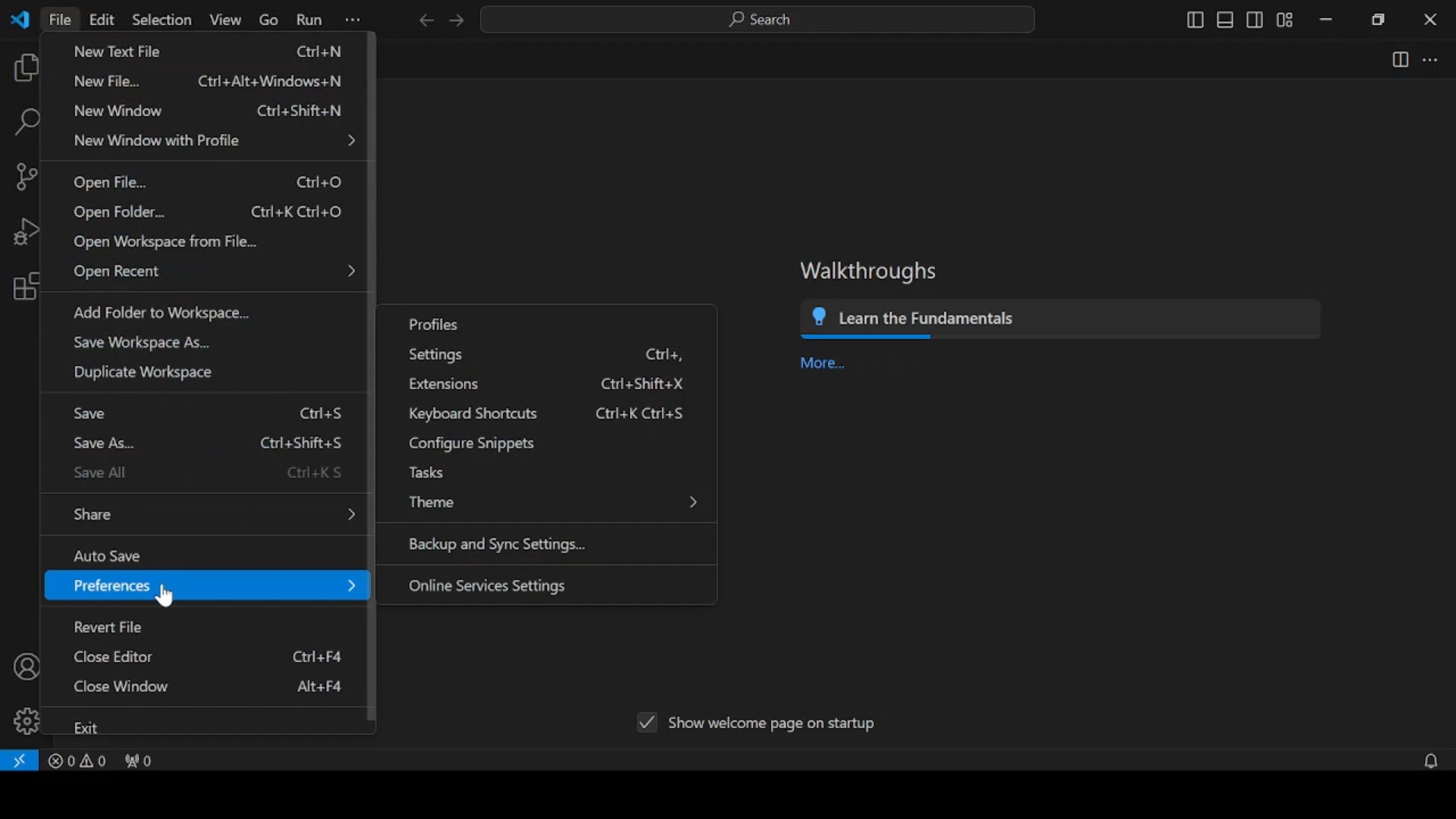 Image resolution: width=1456 pixels, height=819 pixels. Describe the element at coordinates (666, 353) in the screenshot. I see `ctrl+` at that location.